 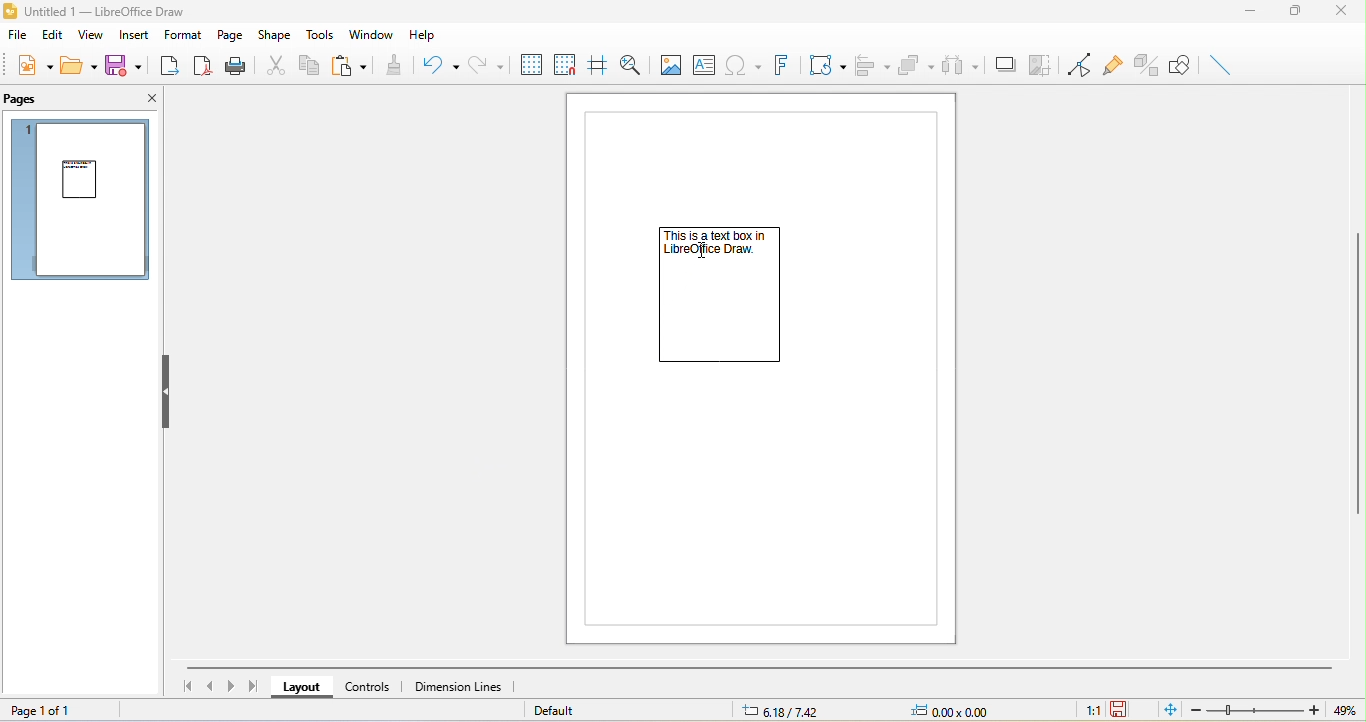 I want to click on help, so click(x=424, y=37).